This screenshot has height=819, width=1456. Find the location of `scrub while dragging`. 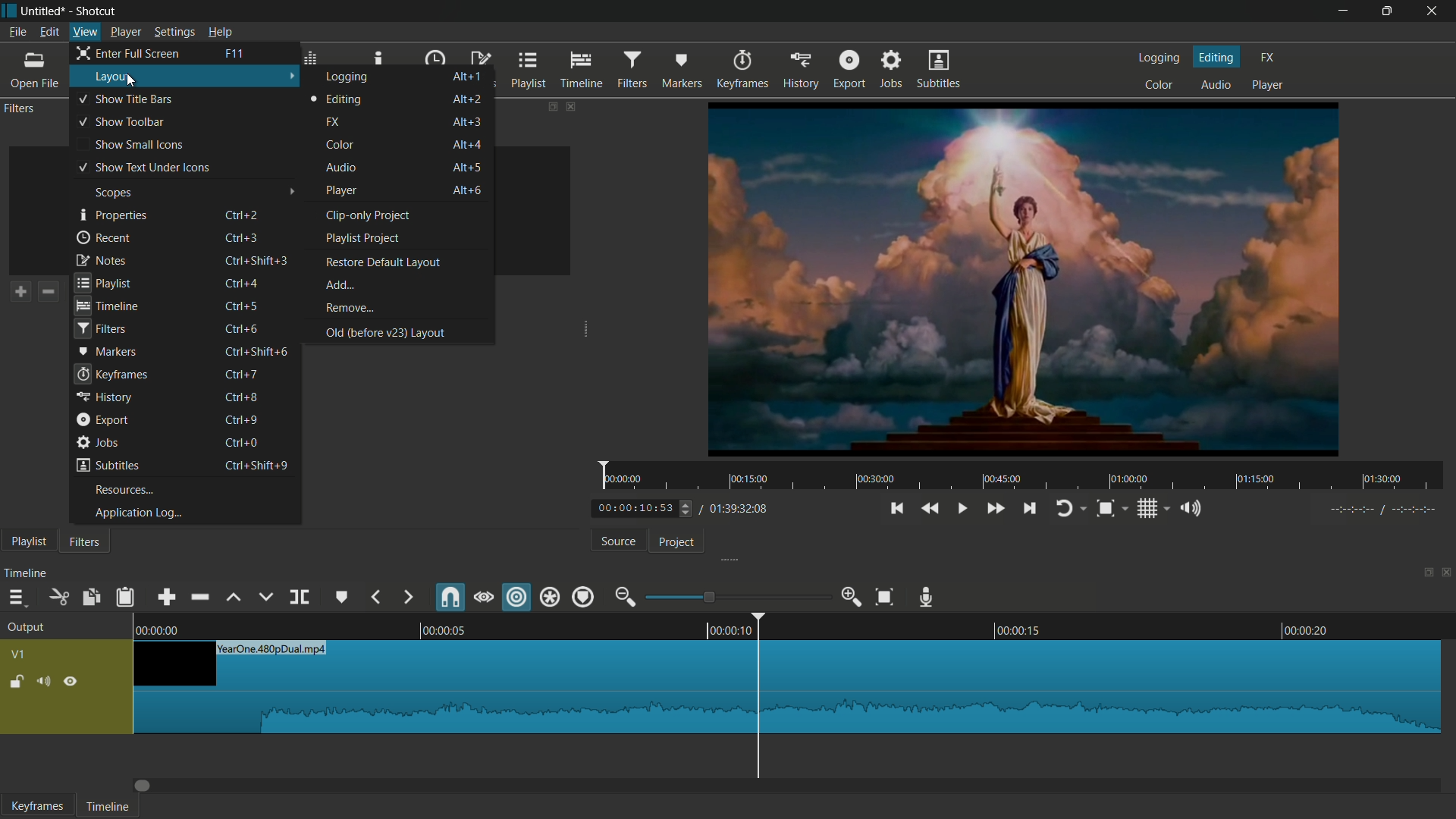

scrub while dragging is located at coordinates (483, 598).